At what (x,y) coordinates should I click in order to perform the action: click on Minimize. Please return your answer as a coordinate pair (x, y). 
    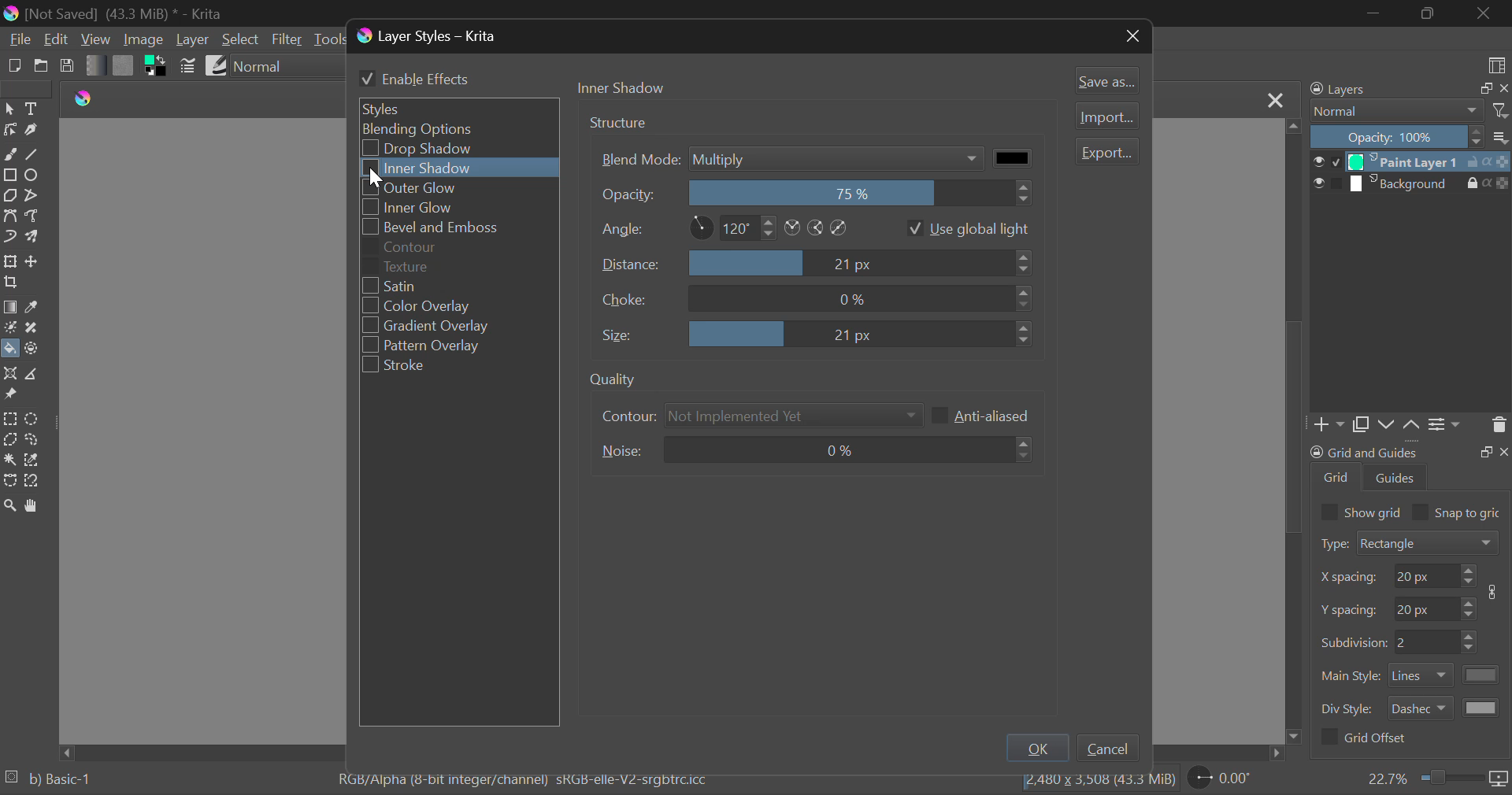
    Looking at the image, I should click on (1431, 13).